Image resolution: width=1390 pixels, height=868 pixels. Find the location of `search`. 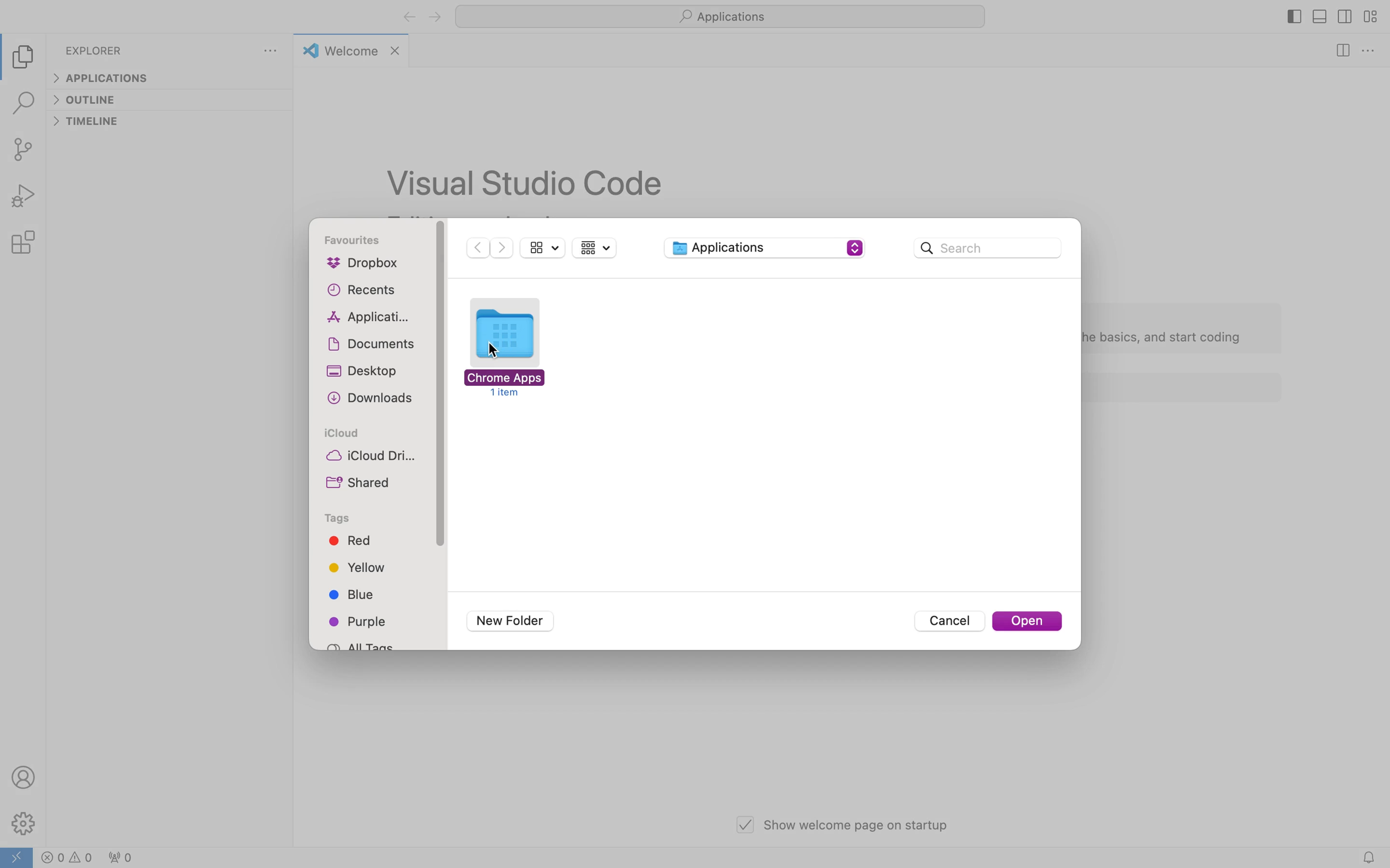

search is located at coordinates (24, 105).